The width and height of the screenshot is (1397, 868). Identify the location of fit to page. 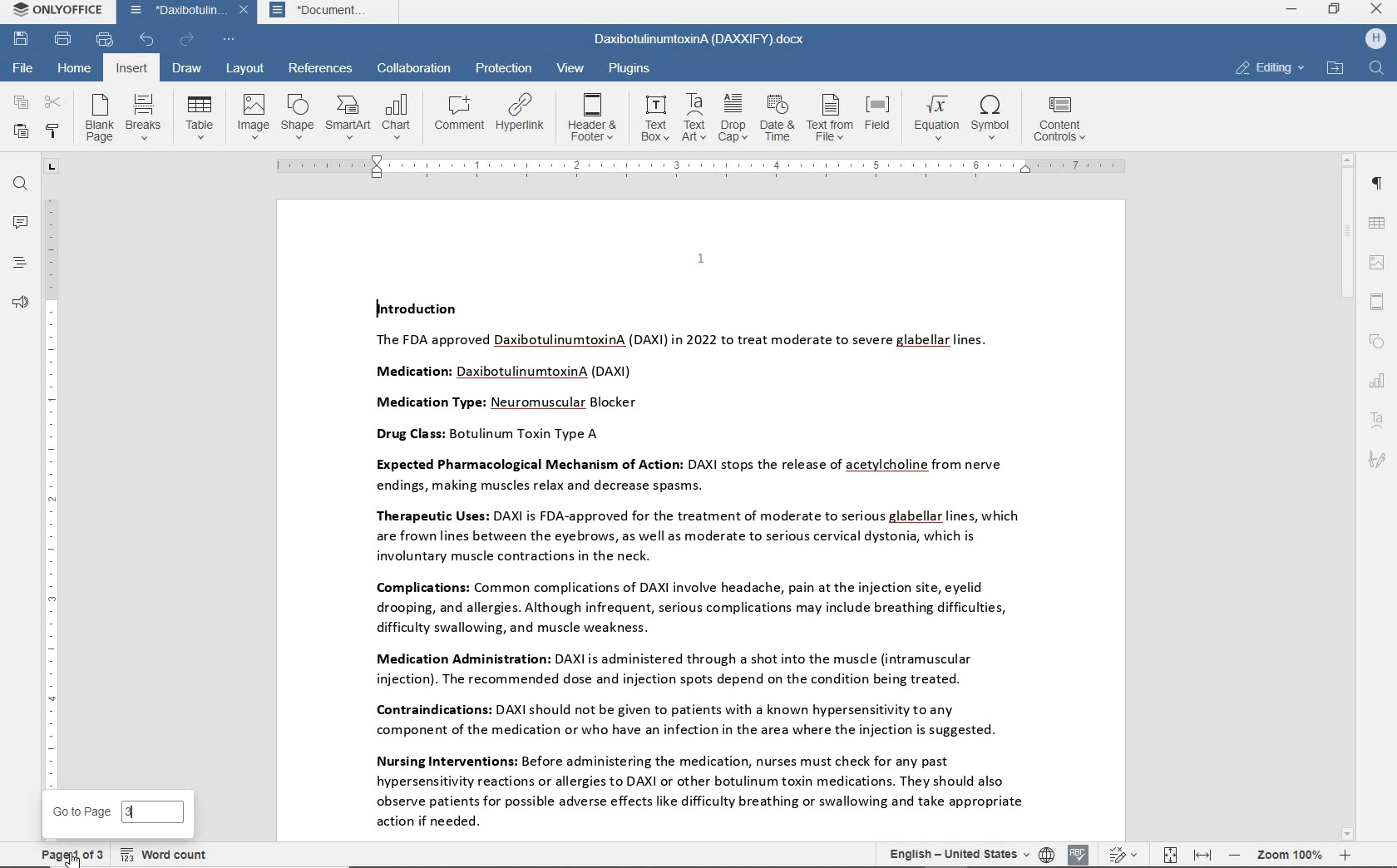
(1169, 855).